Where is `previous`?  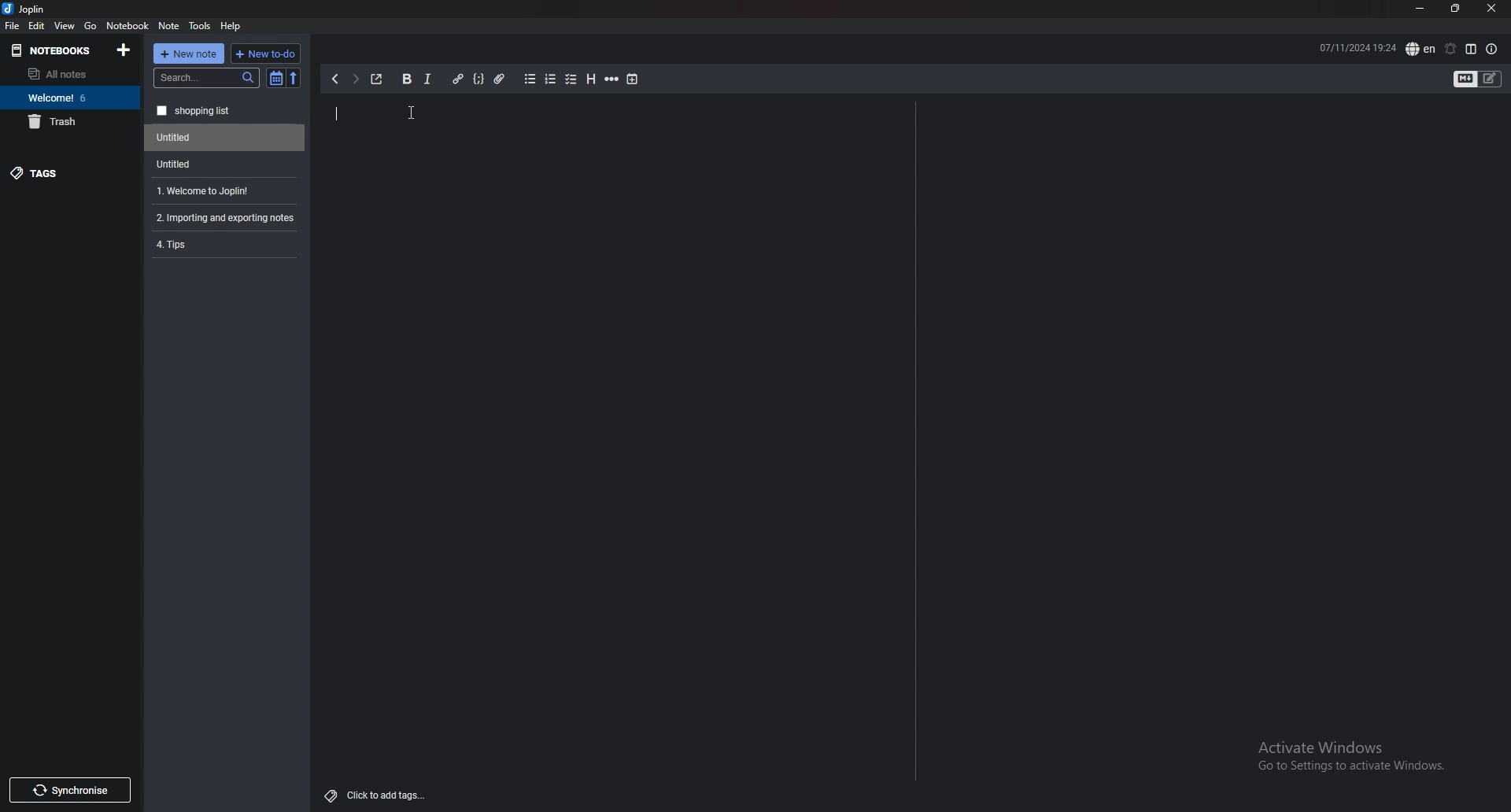 previous is located at coordinates (334, 79).